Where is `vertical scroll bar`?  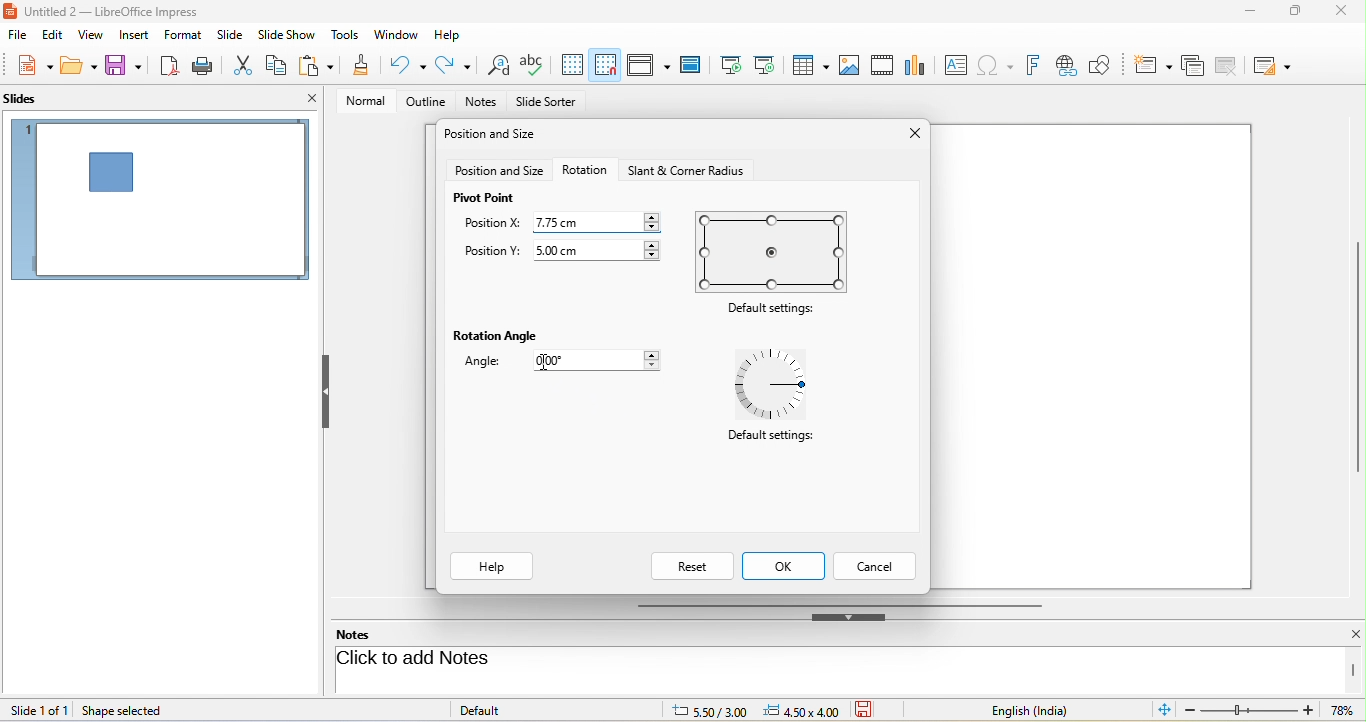
vertical scroll bar is located at coordinates (1354, 670).